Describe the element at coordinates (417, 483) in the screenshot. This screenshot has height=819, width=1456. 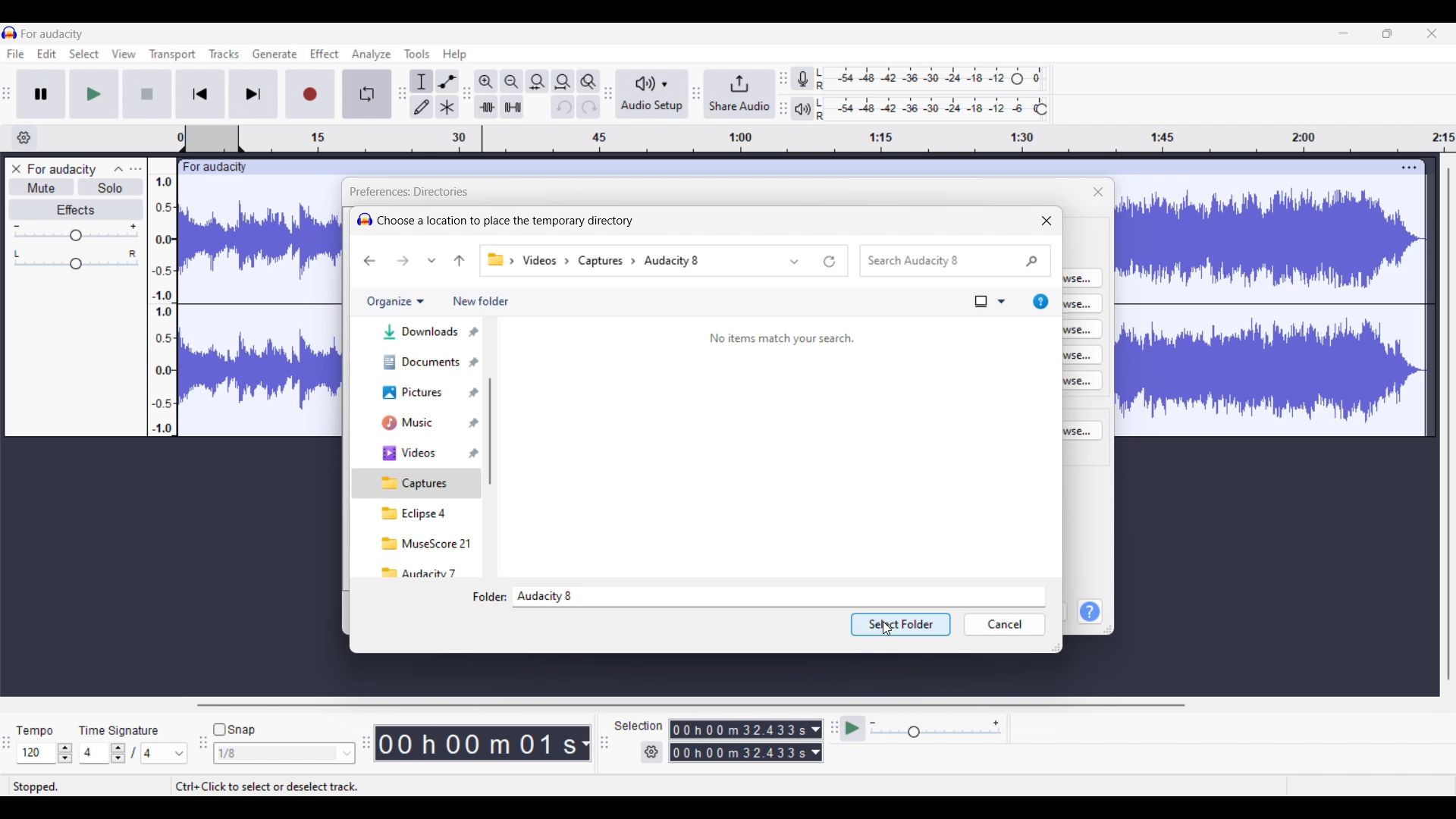
I see `Captures, current selection highlighted` at that location.